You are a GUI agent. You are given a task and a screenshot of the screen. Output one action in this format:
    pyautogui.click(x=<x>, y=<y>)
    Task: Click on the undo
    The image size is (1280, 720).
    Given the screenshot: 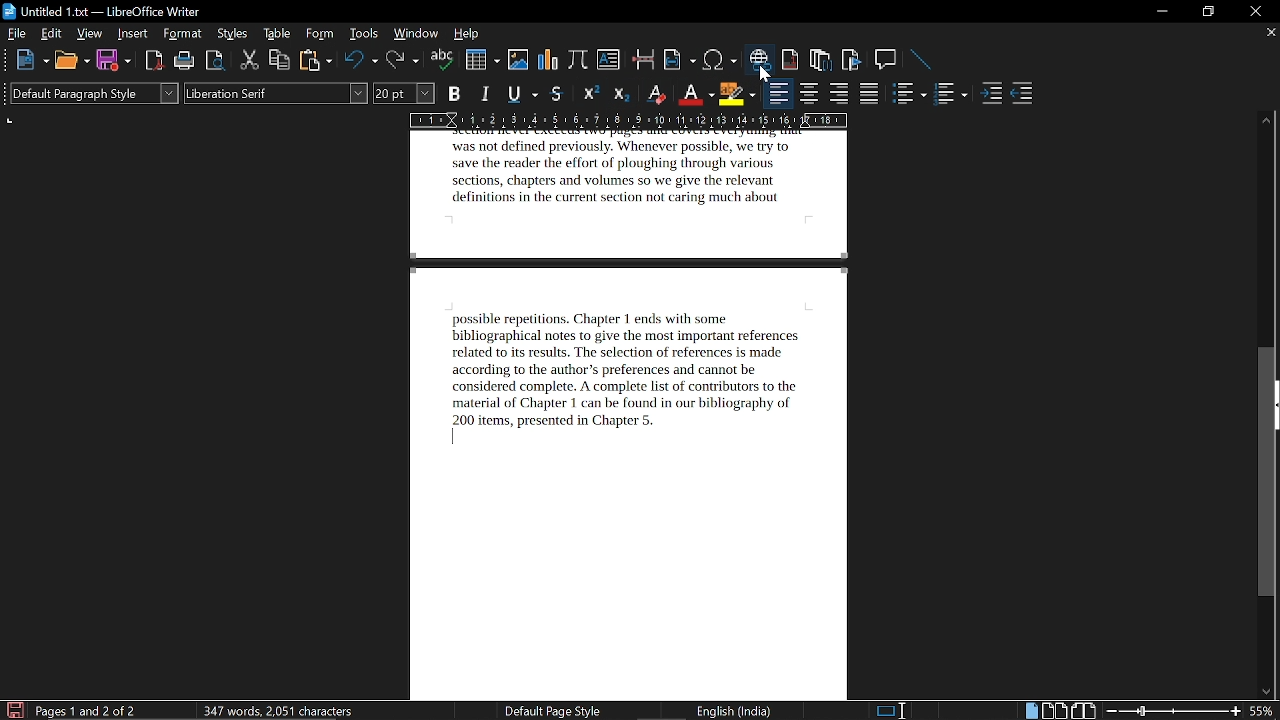 What is the action you would take?
    pyautogui.click(x=361, y=61)
    